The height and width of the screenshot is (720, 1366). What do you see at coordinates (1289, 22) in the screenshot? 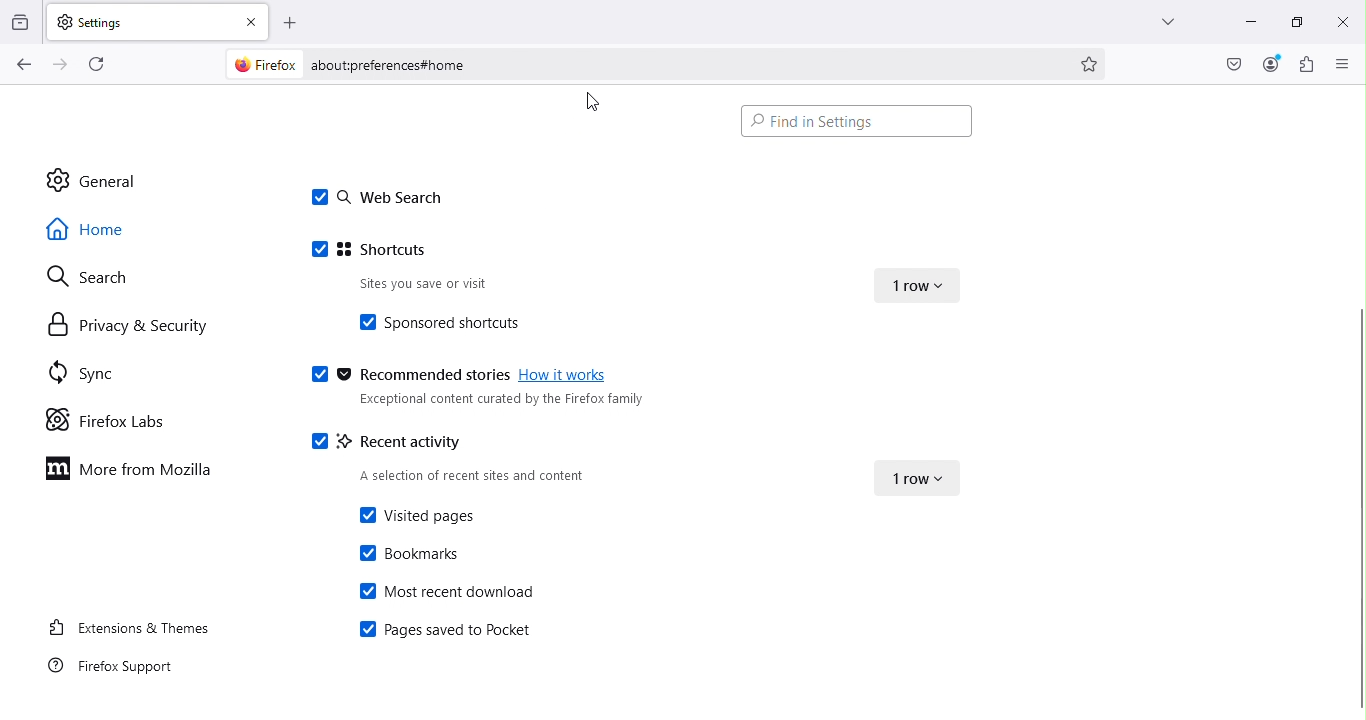
I see `Maximize` at bounding box center [1289, 22].